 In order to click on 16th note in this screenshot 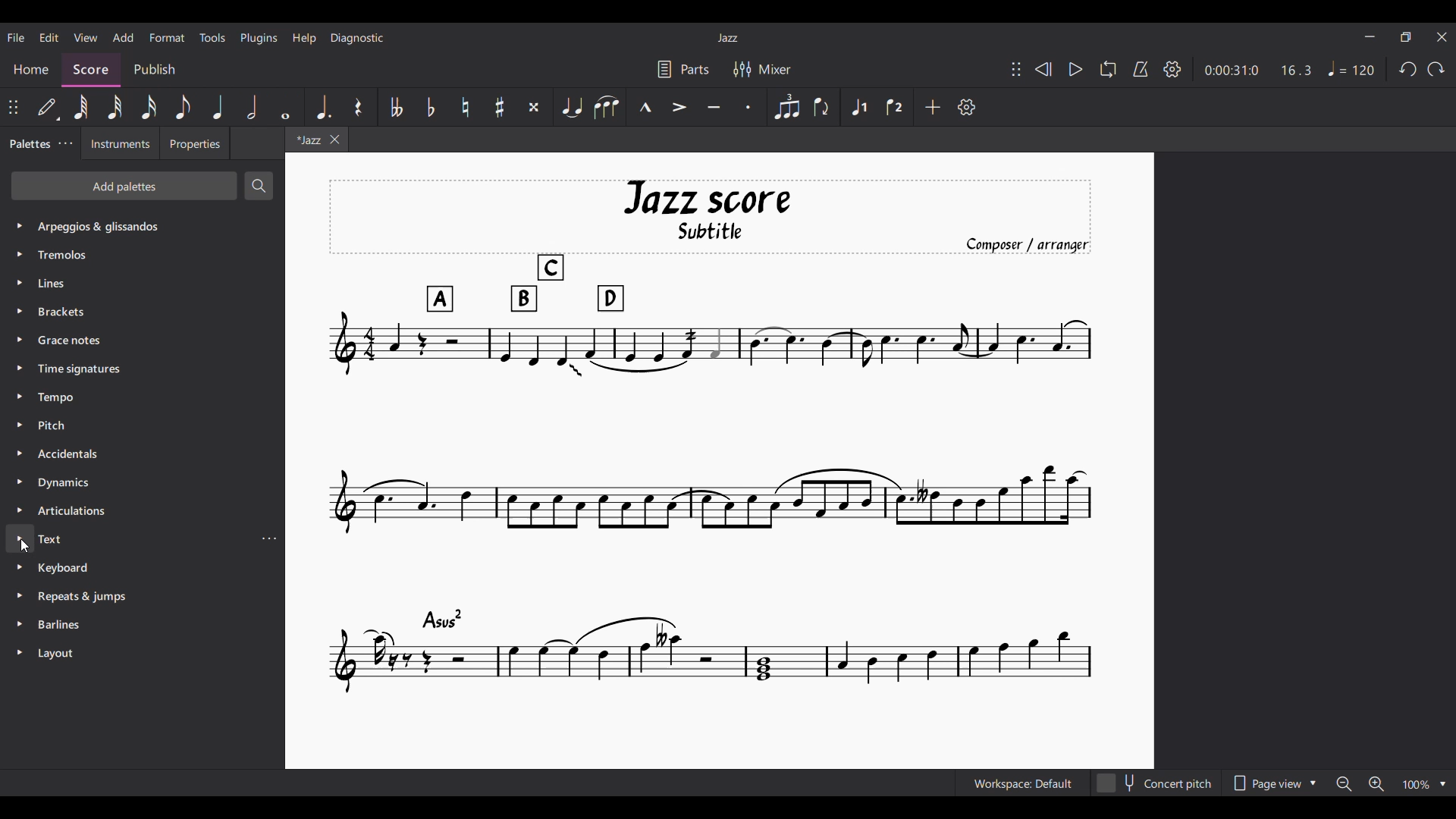, I will do `click(149, 107)`.